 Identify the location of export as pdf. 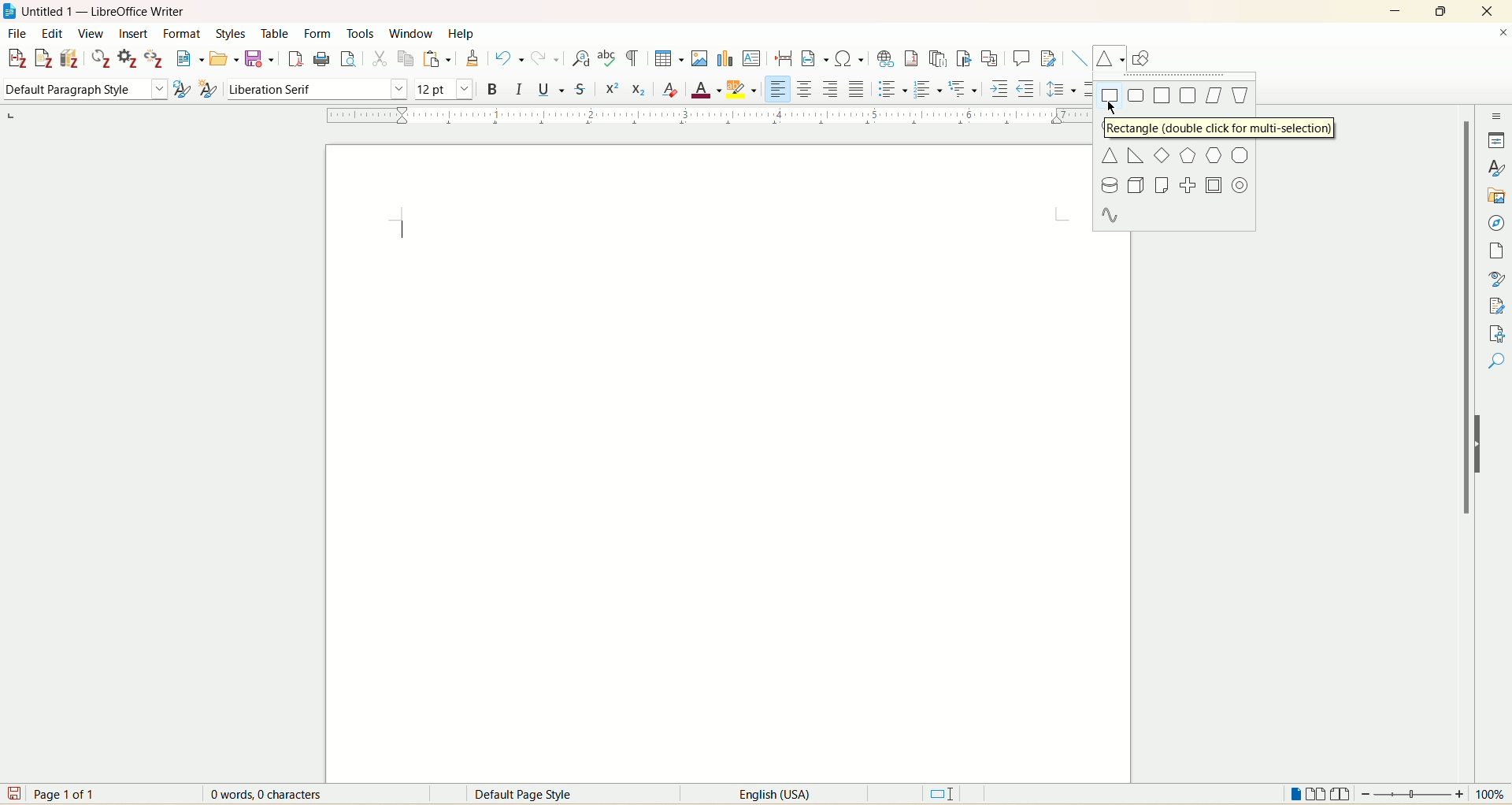
(294, 60).